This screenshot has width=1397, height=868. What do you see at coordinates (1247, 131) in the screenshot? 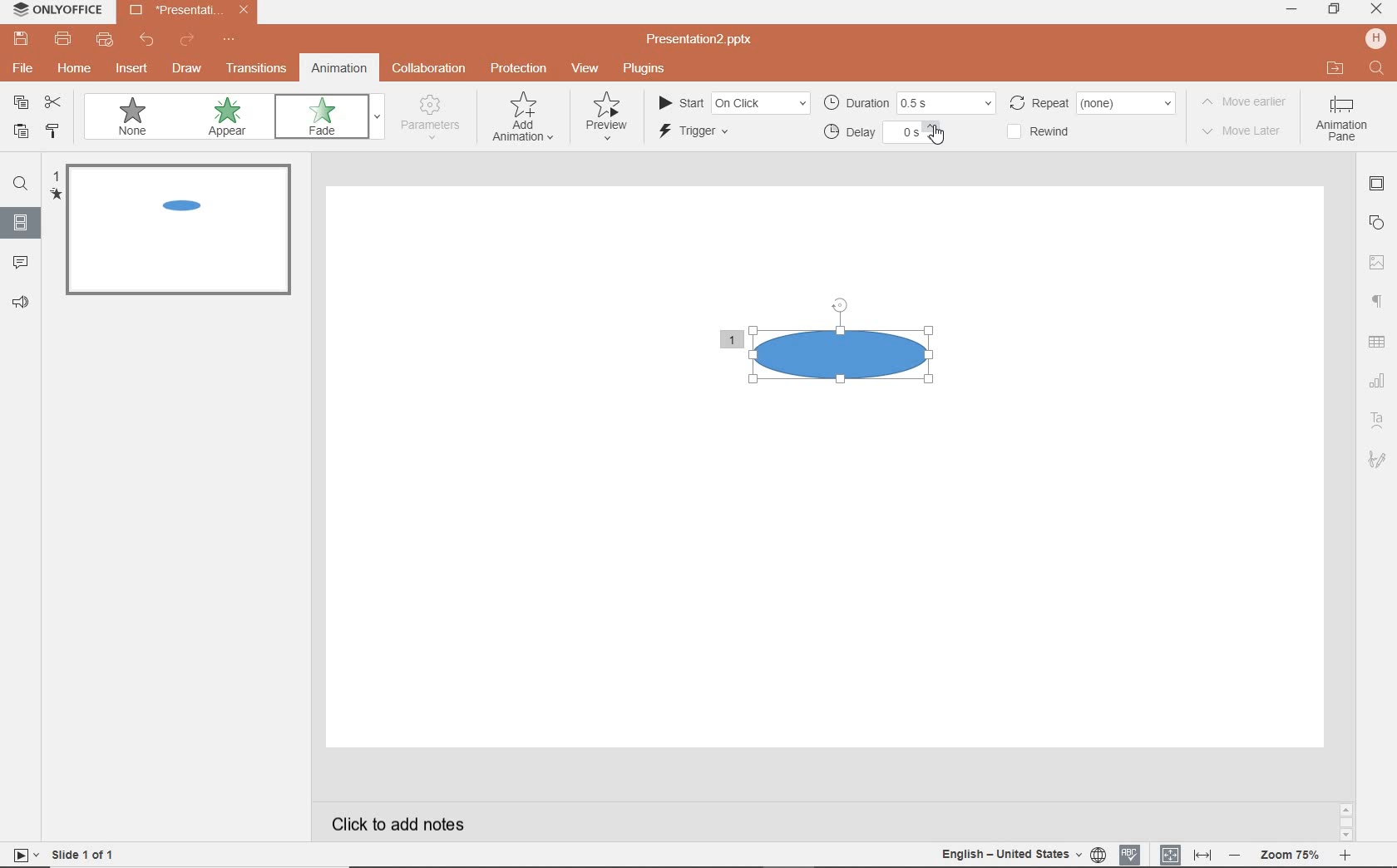
I see `move later` at bounding box center [1247, 131].